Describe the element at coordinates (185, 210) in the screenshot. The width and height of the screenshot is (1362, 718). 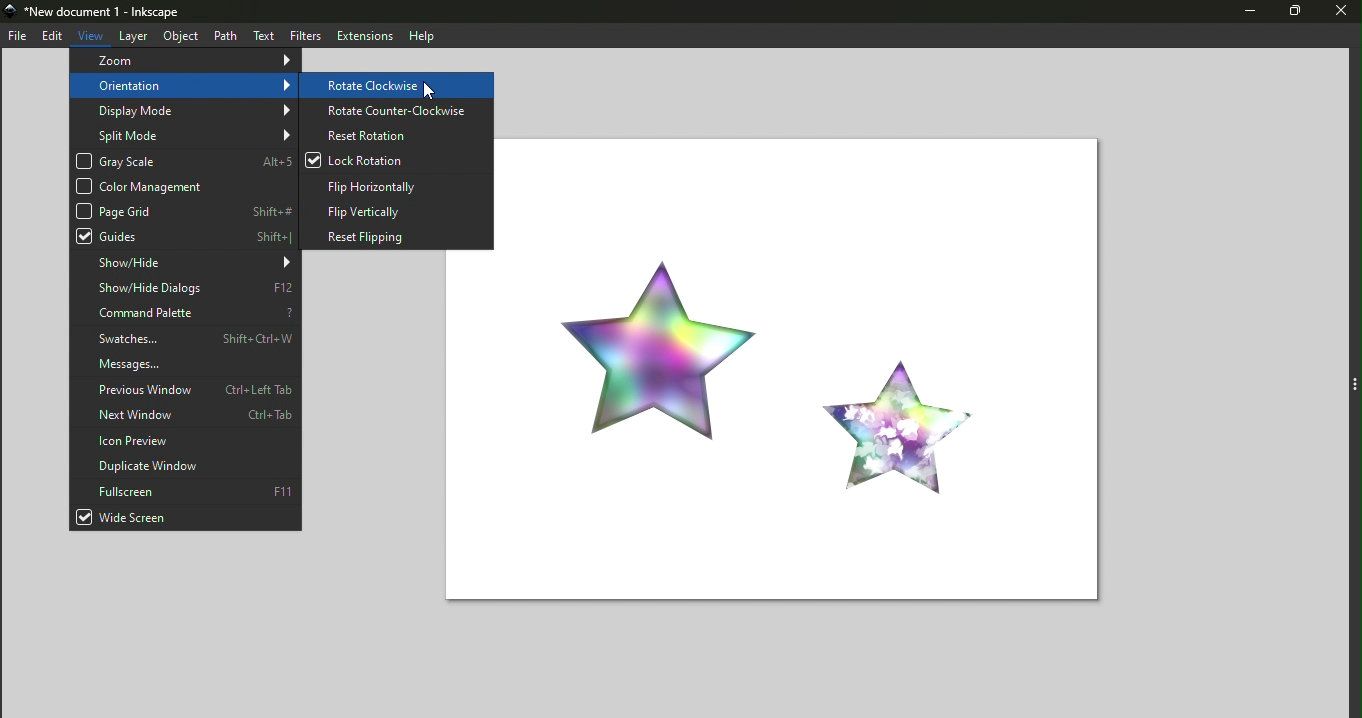
I see `Page Grid` at that location.